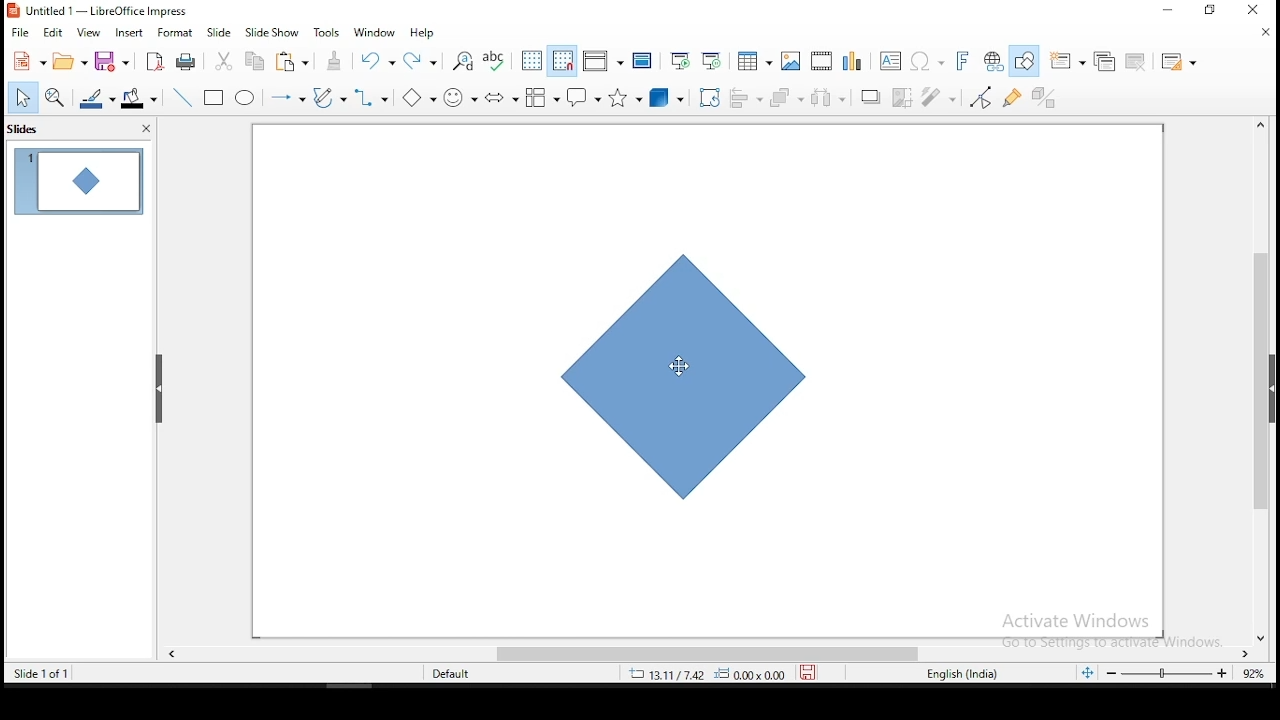  I want to click on toggle extrusion, so click(1045, 99).